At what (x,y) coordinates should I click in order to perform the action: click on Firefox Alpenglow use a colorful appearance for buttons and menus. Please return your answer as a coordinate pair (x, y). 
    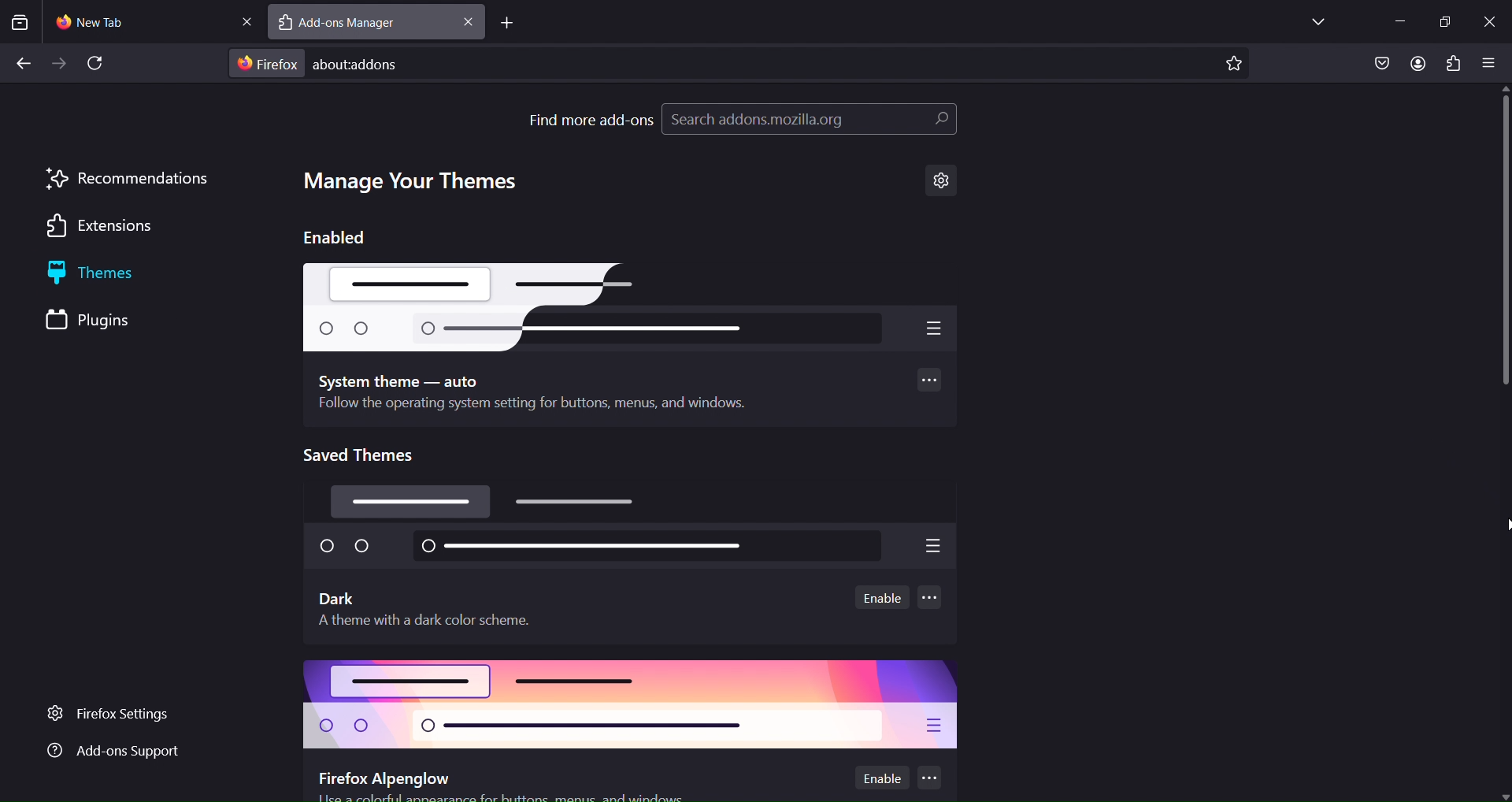
    Looking at the image, I should click on (500, 785).